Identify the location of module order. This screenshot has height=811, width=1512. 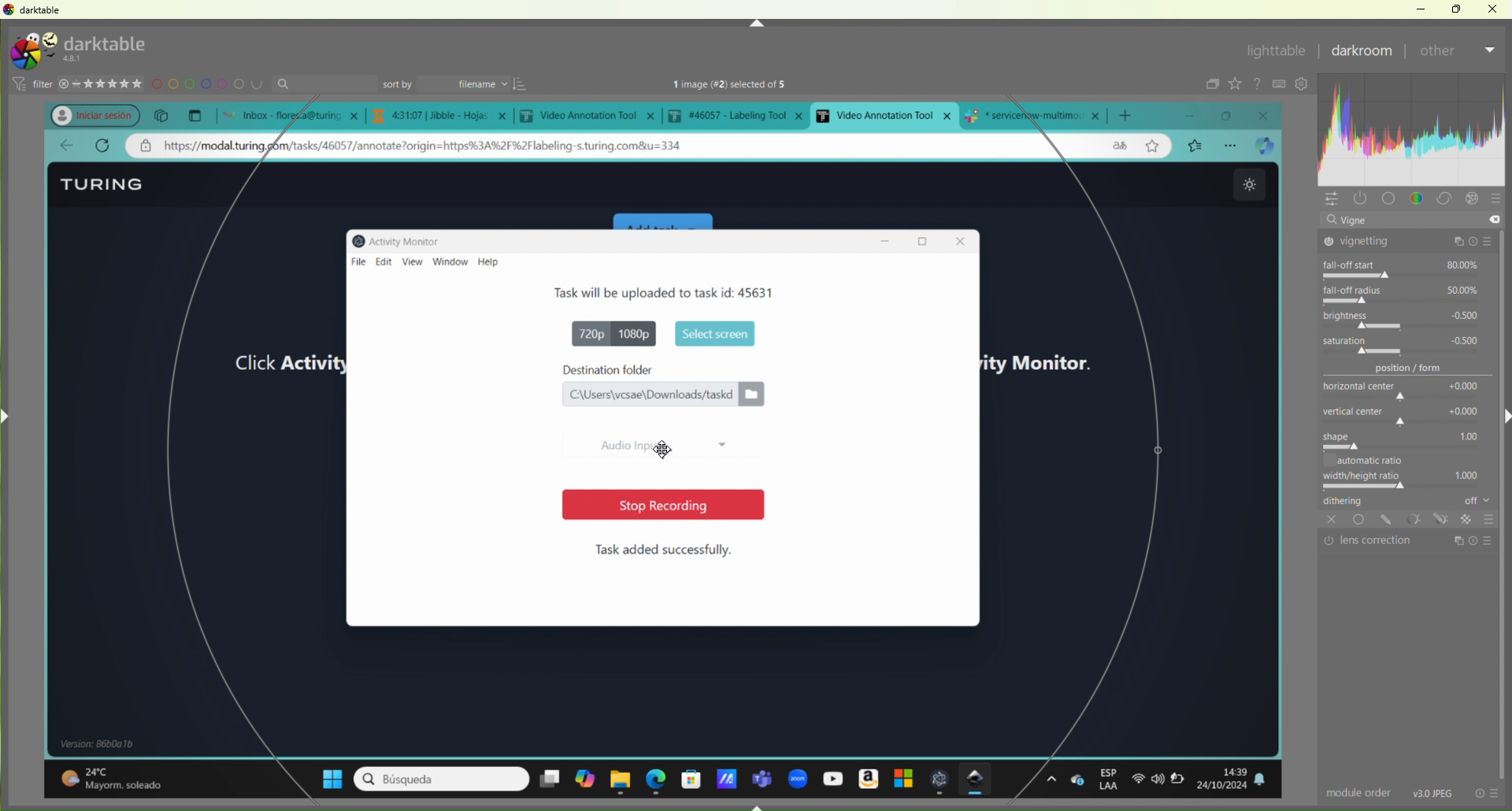
(1351, 792).